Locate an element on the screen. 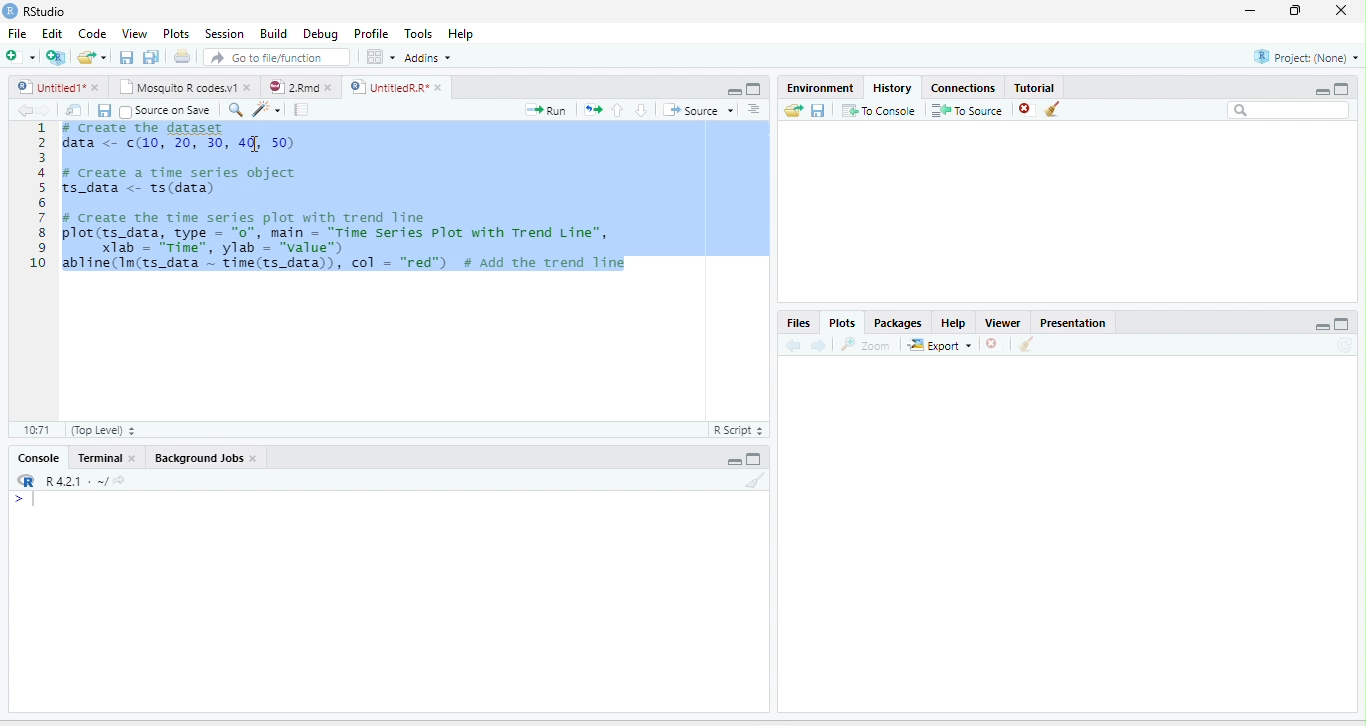 This screenshot has width=1366, height=726. View the current working directory is located at coordinates (120, 479).